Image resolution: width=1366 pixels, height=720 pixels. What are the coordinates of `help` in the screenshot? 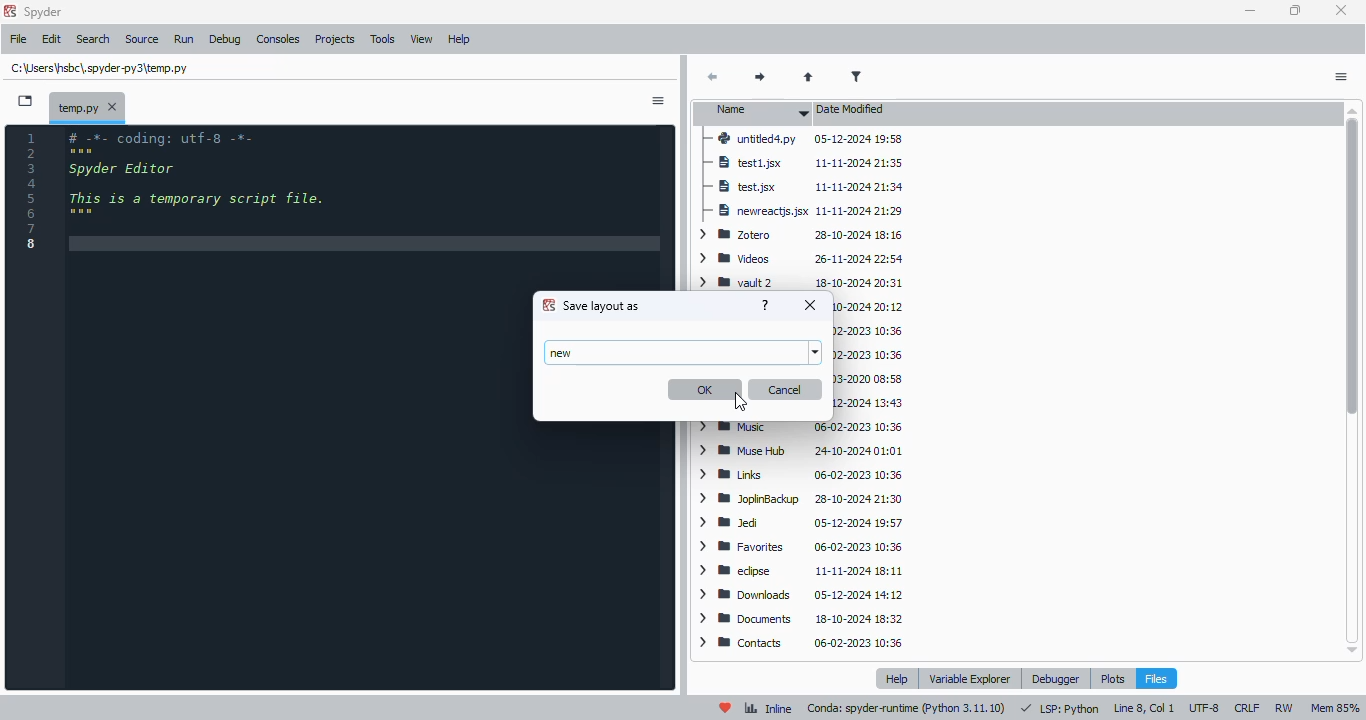 It's located at (897, 678).